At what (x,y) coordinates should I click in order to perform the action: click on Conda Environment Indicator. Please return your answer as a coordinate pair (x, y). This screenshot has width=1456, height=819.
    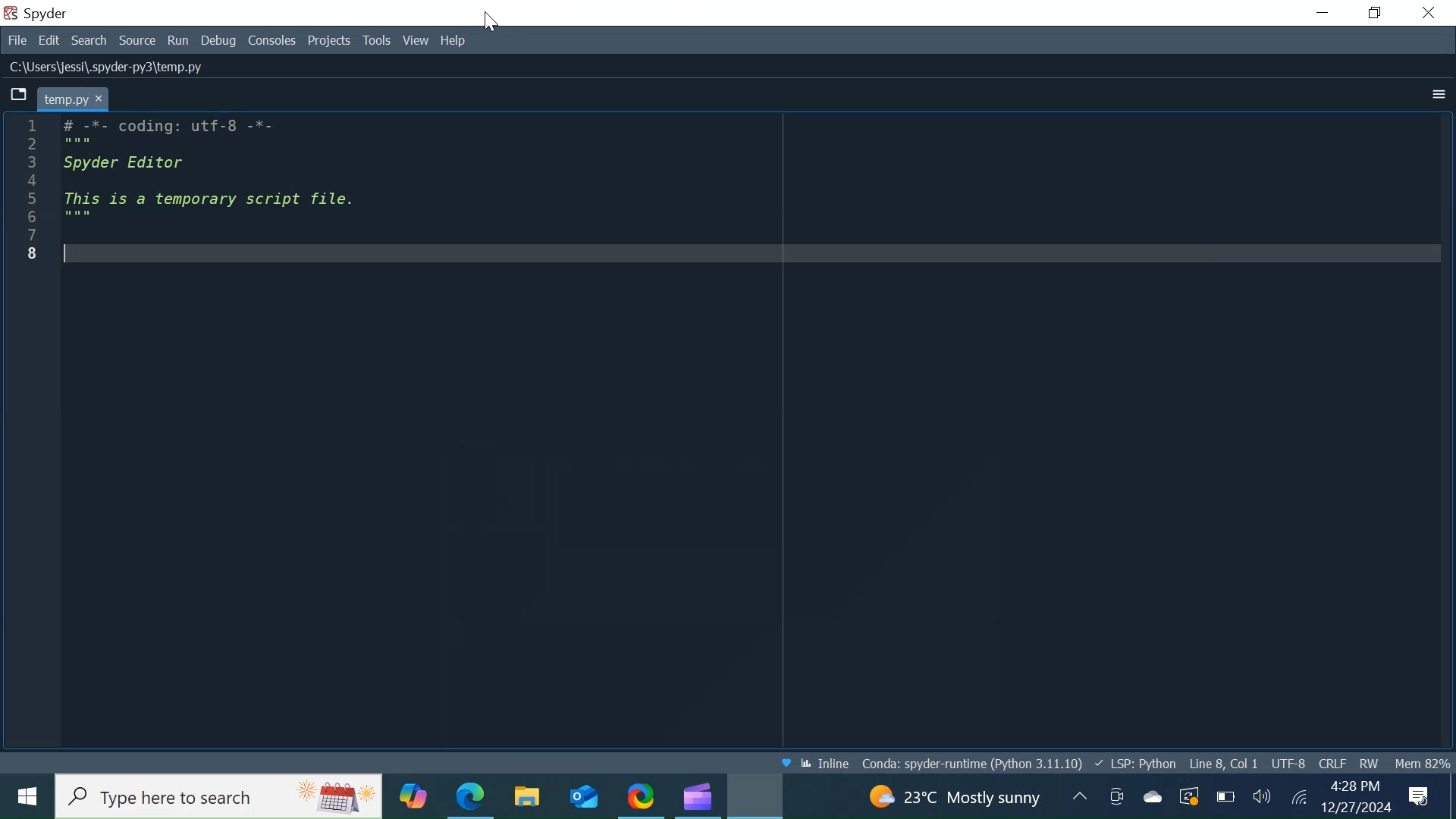
    Looking at the image, I should click on (973, 764).